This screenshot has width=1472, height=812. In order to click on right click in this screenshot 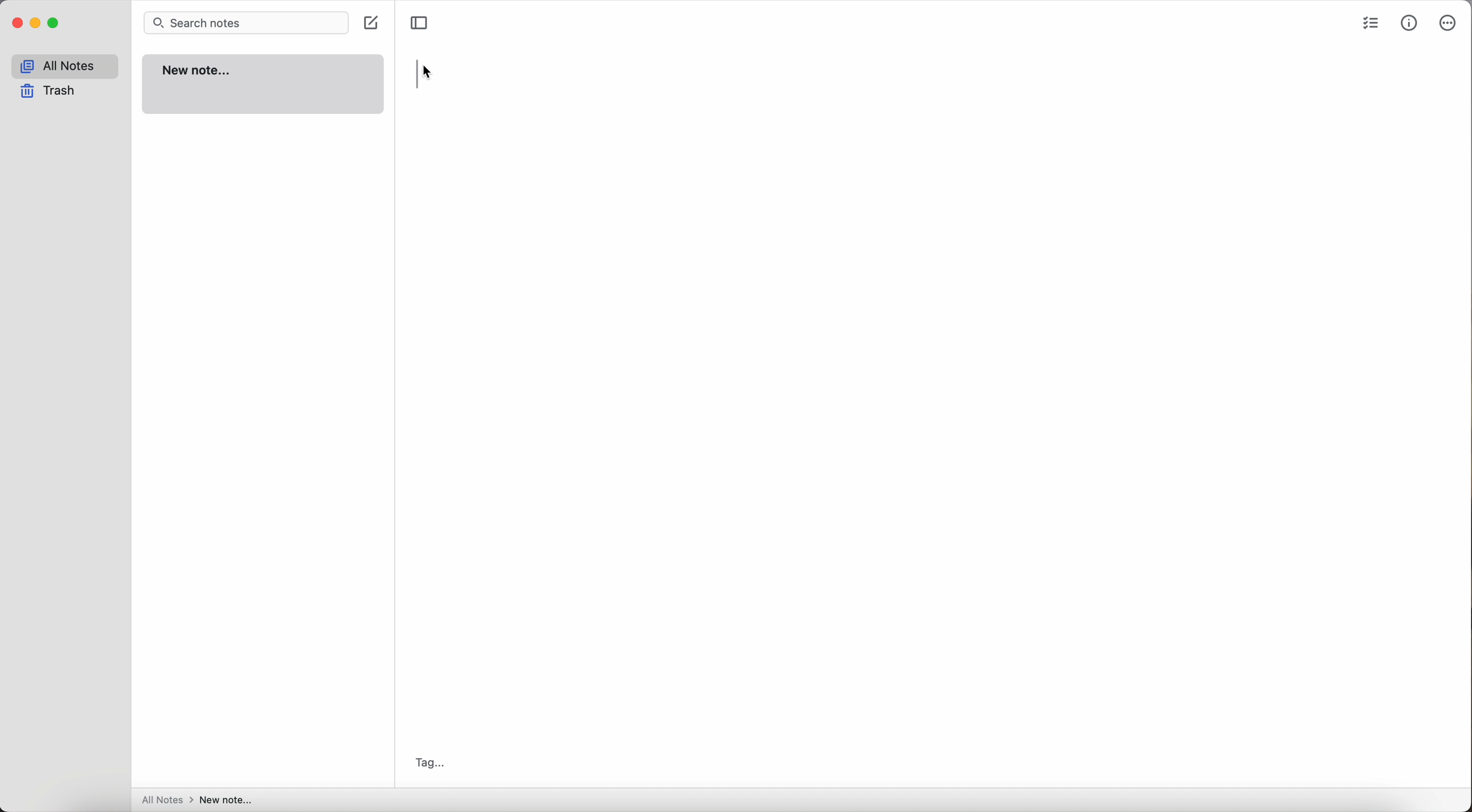, I will do `click(423, 77)`.